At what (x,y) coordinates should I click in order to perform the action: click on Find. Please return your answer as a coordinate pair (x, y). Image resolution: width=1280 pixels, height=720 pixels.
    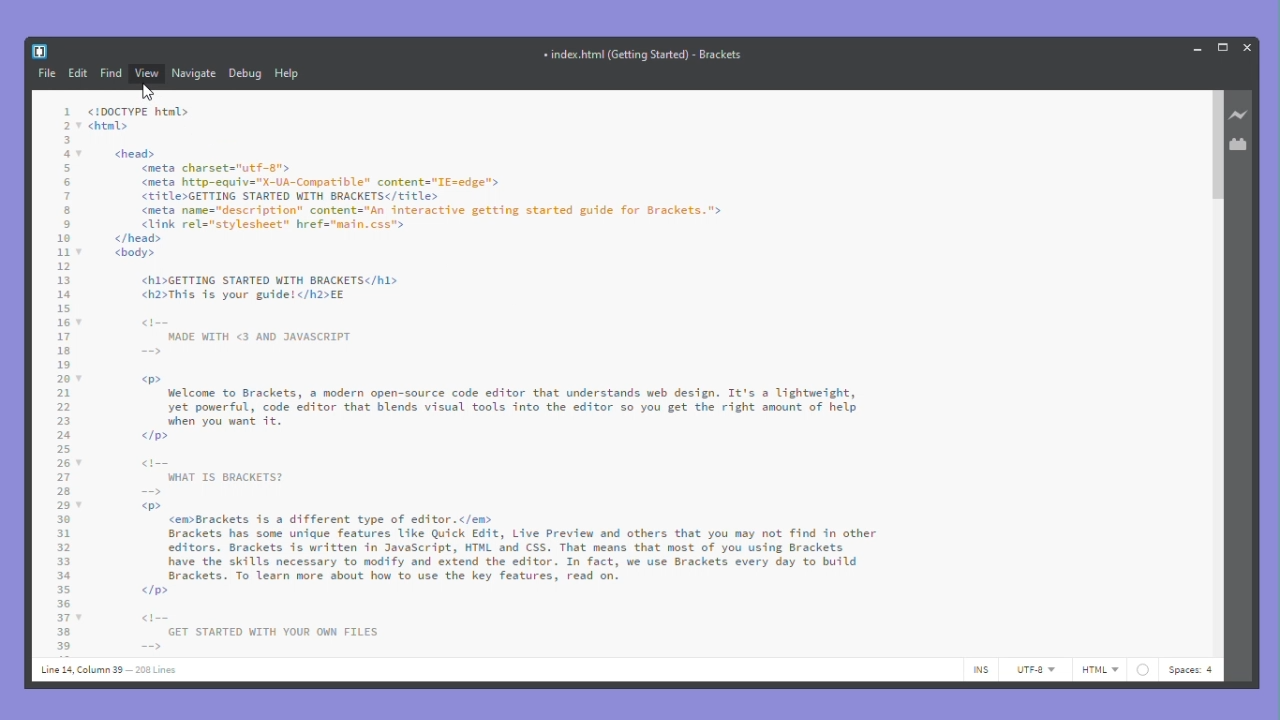
    Looking at the image, I should click on (111, 74).